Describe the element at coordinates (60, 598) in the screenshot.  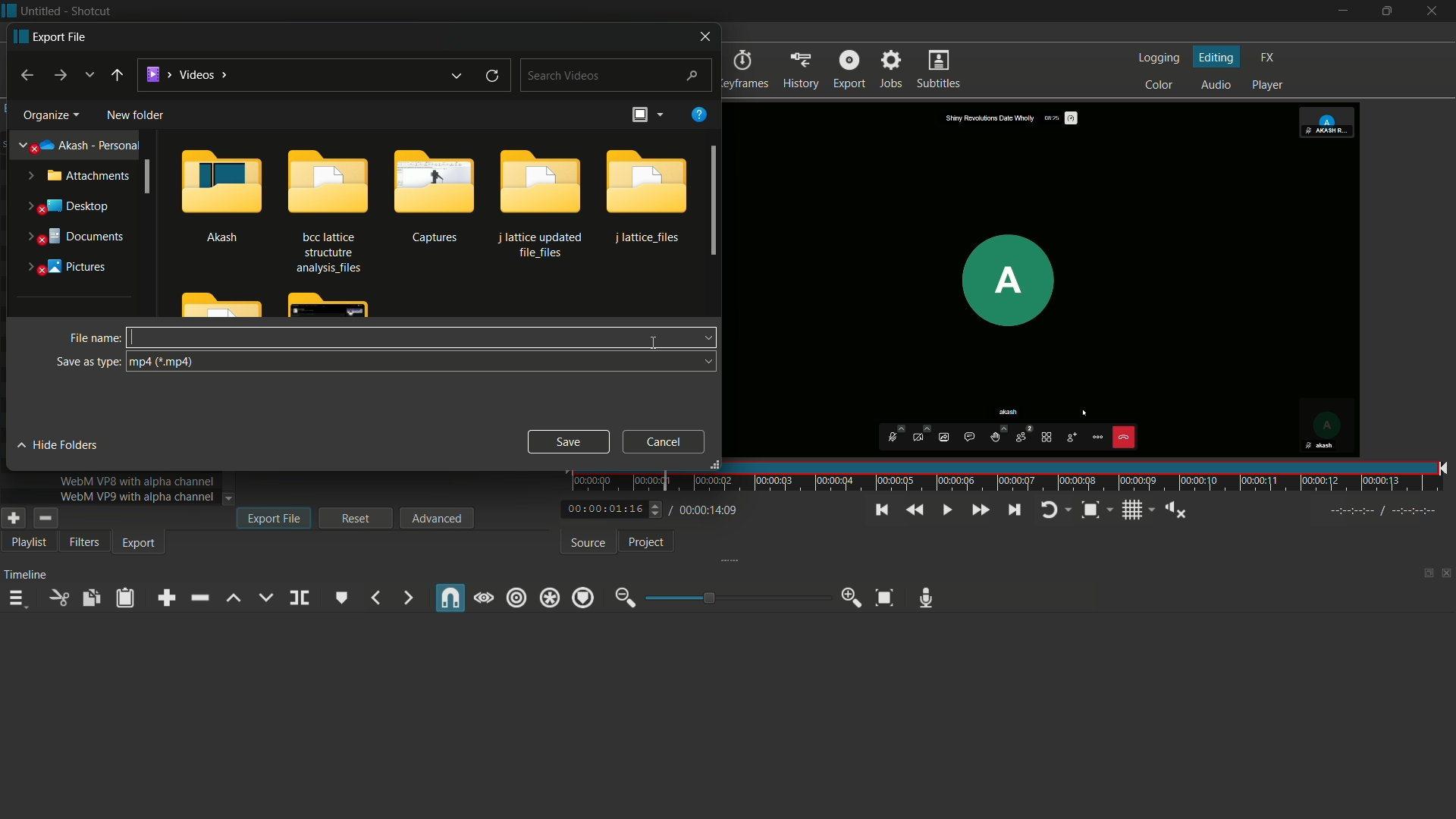
I see `cut` at that location.